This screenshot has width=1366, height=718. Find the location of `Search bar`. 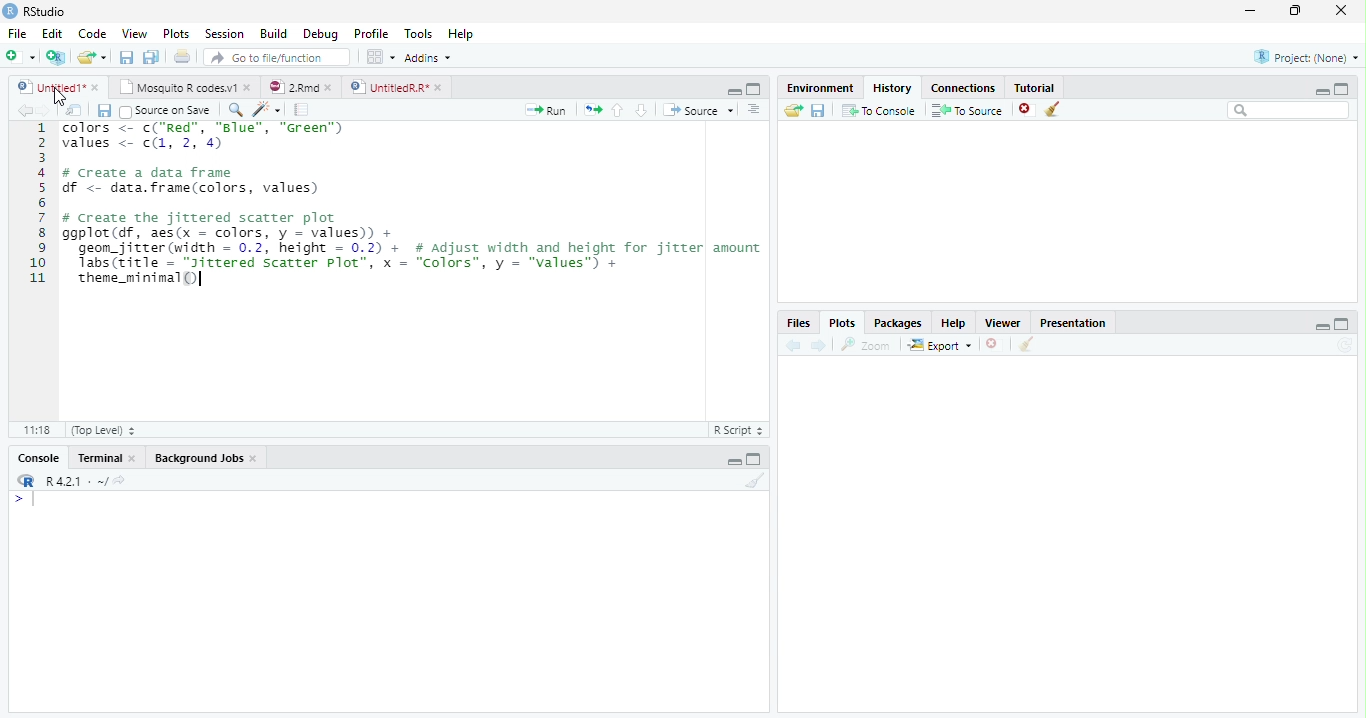

Search bar is located at coordinates (1290, 110).